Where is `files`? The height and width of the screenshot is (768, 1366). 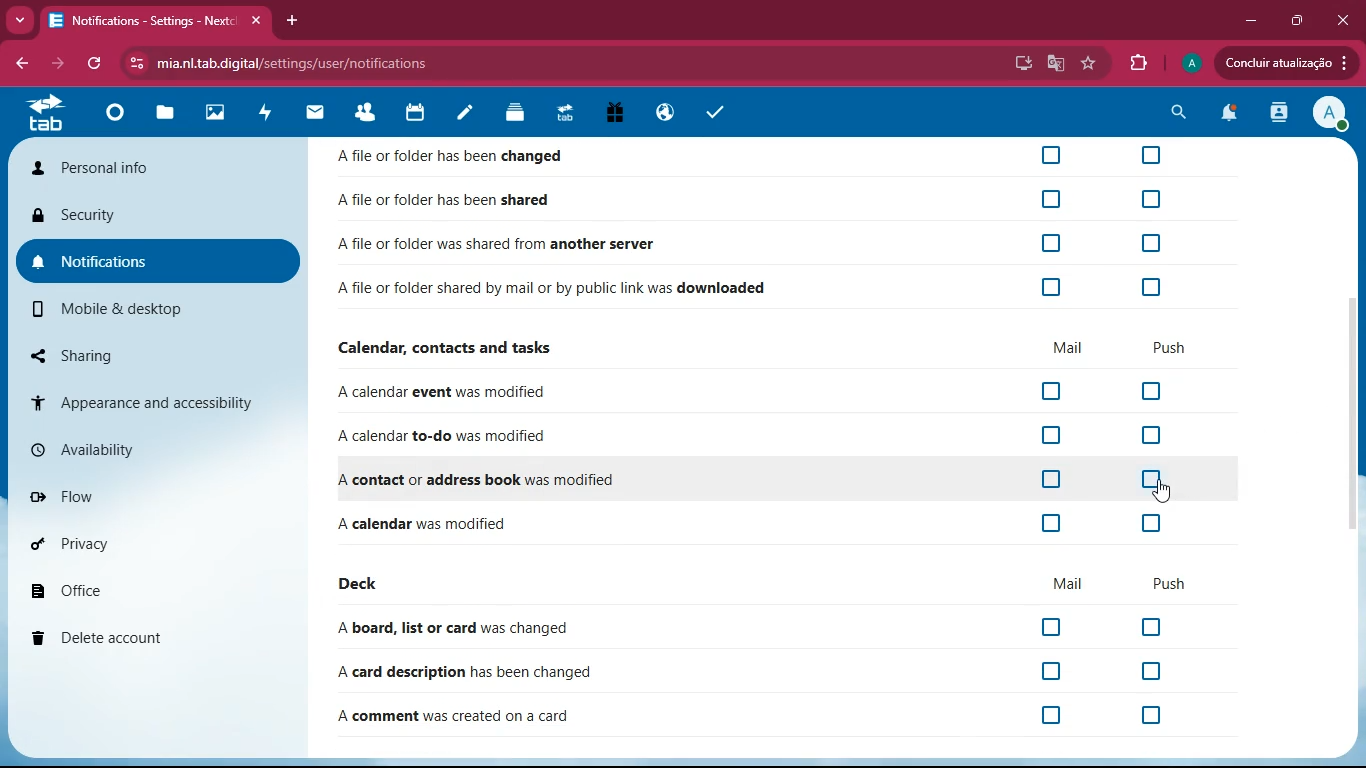 files is located at coordinates (167, 115).